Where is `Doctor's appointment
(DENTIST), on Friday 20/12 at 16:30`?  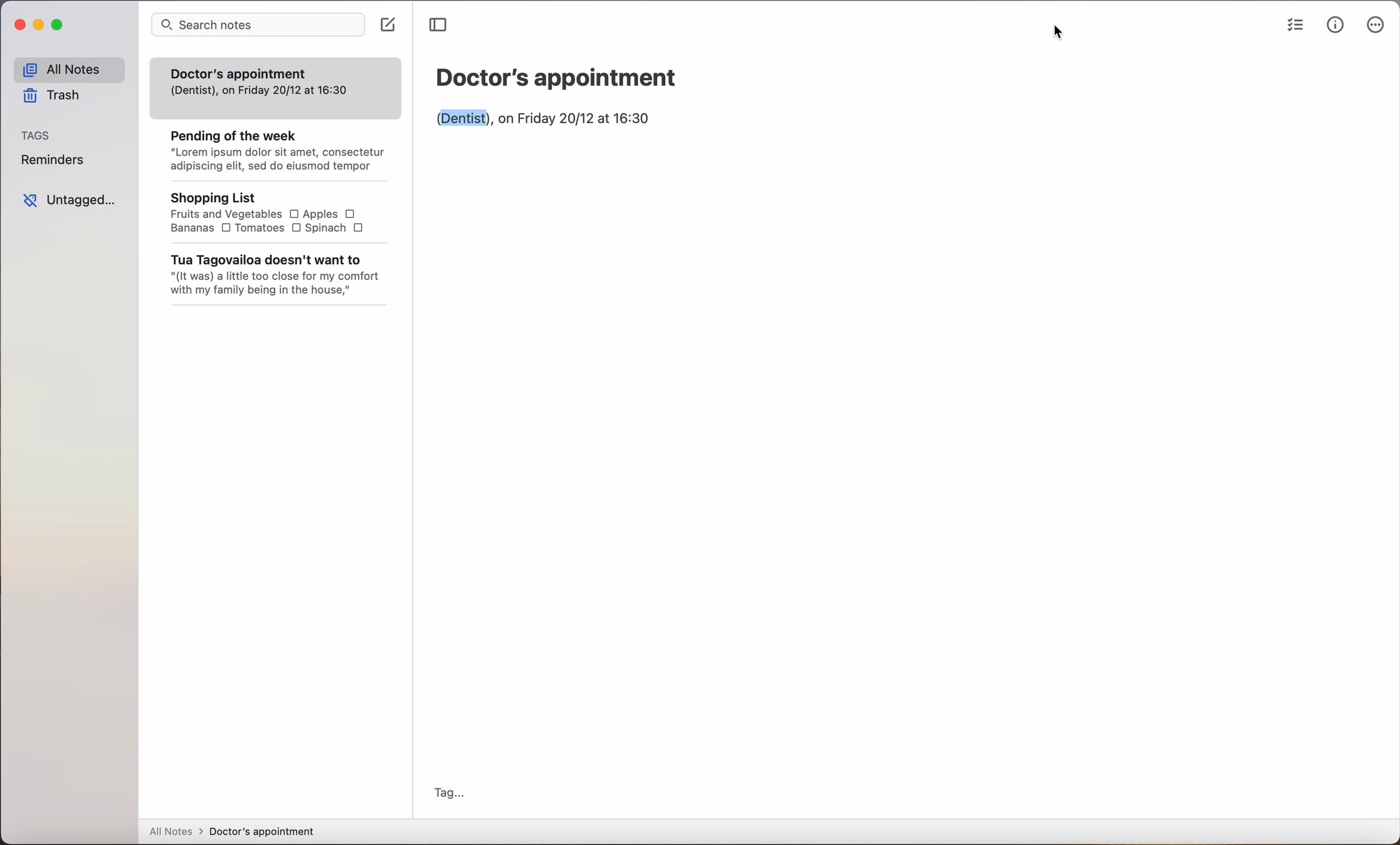 Doctor's appointment
(DENTIST), on Friday 20/12 at 16:30 is located at coordinates (264, 80).